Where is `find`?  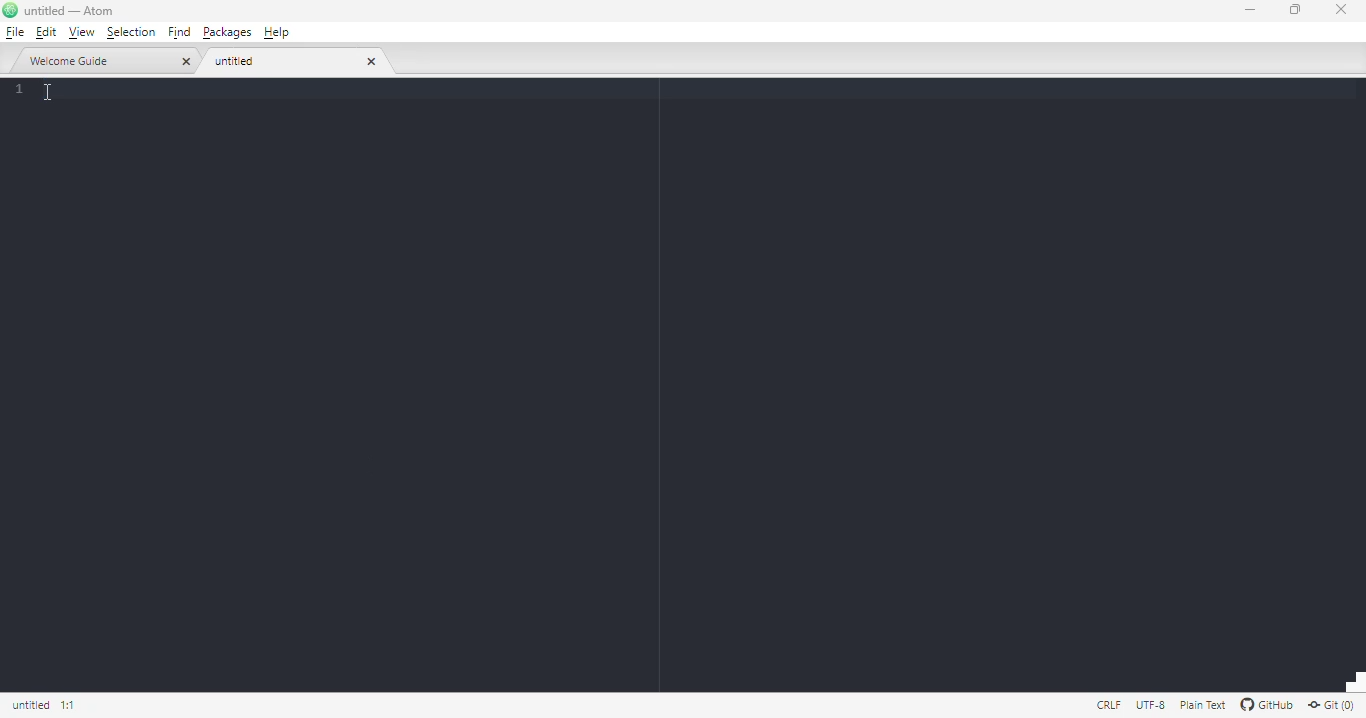 find is located at coordinates (179, 32).